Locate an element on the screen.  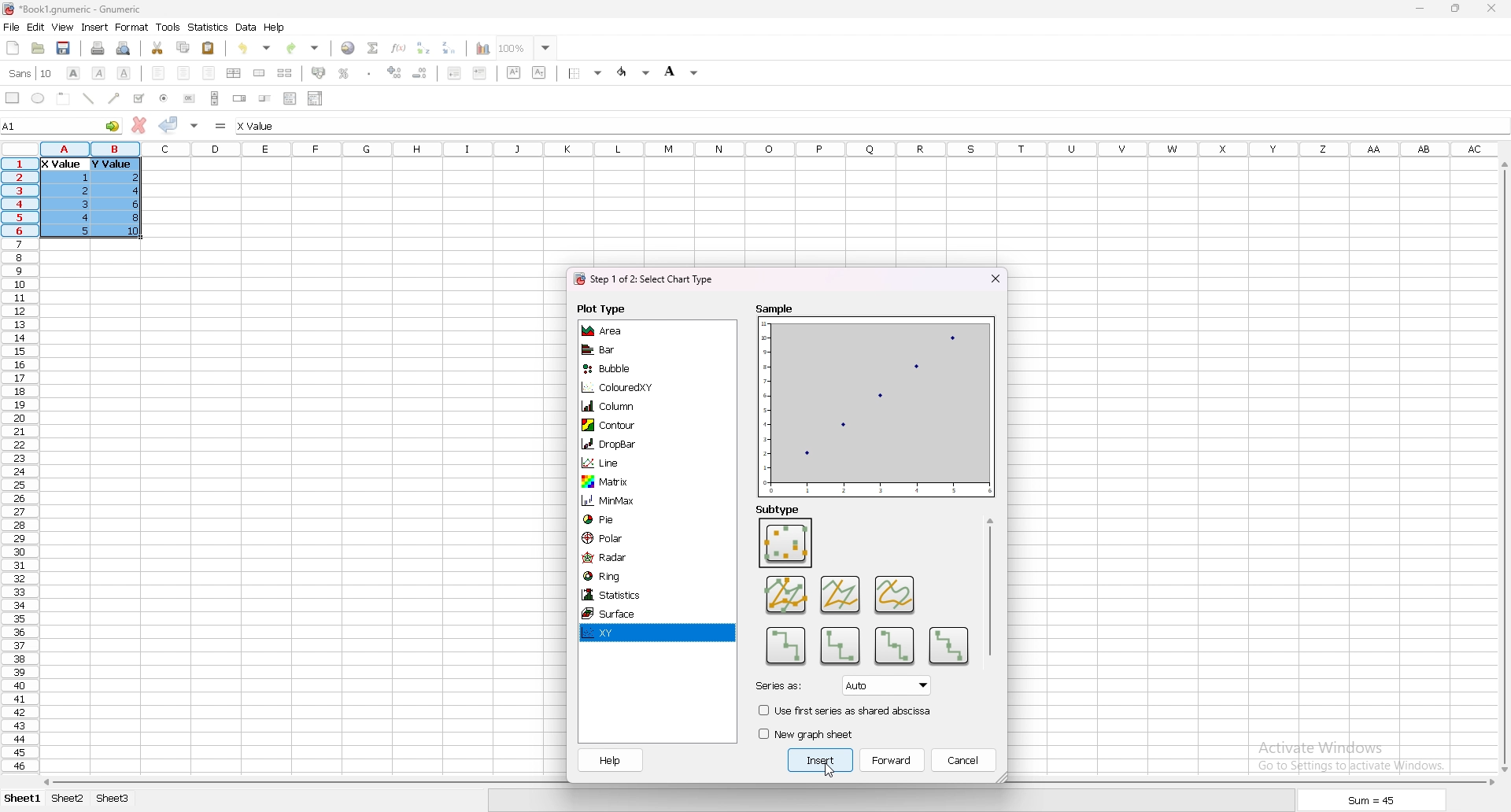
sample is located at coordinates (875, 398).